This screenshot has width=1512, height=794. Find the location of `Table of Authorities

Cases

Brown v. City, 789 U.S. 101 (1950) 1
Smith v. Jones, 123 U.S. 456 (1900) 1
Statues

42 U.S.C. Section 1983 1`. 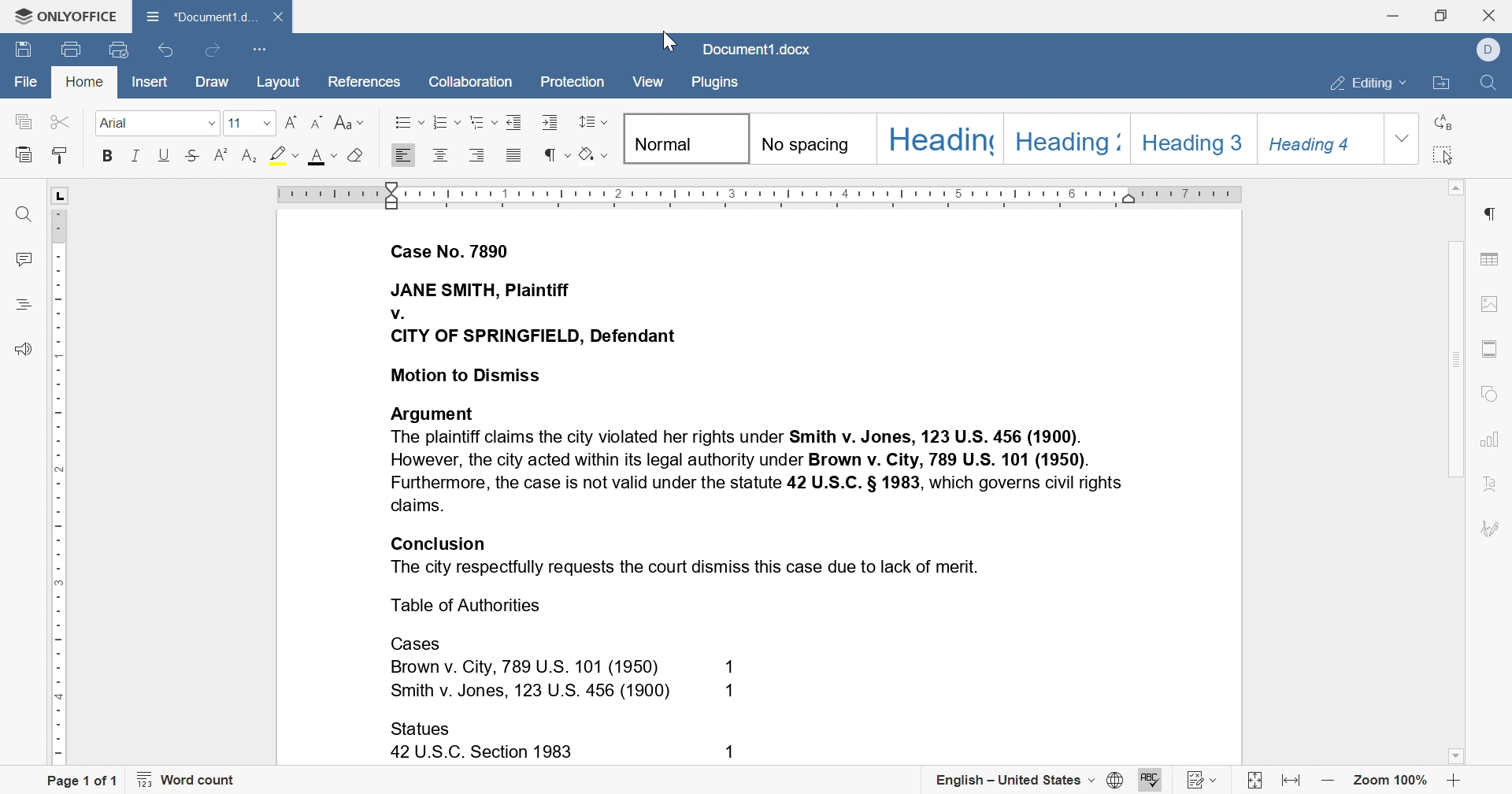

Table of Authorities

Cases

Brown v. City, 789 U.S. 101 (1950) 1
Smith v. Jones, 123 U.S. 456 (1900) 1
Statues

42 U.S.C. Section 1983 1 is located at coordinates (576, 680).